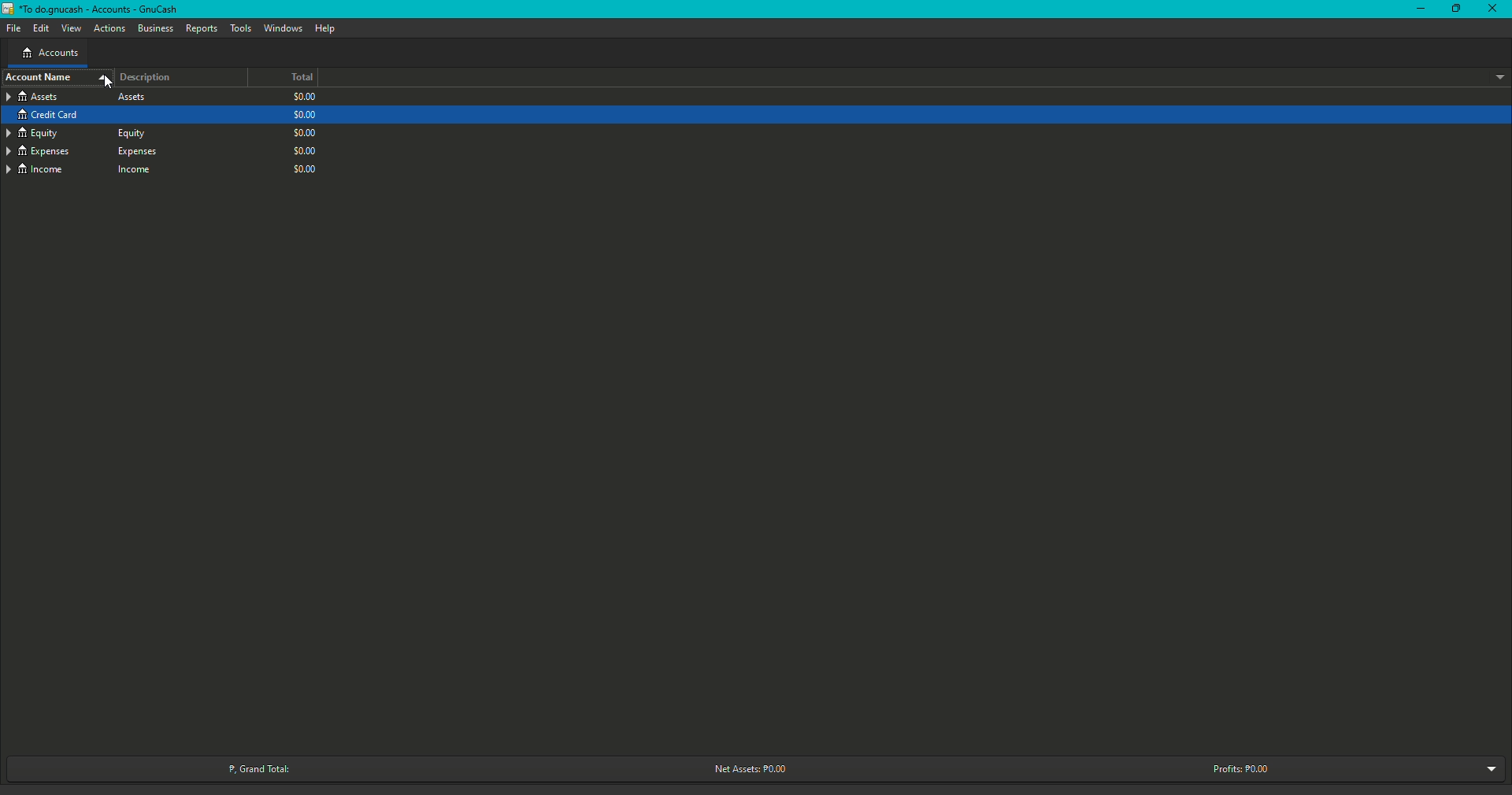 The image size is (1512, 795). I want to click on Description, so click(147, 77).